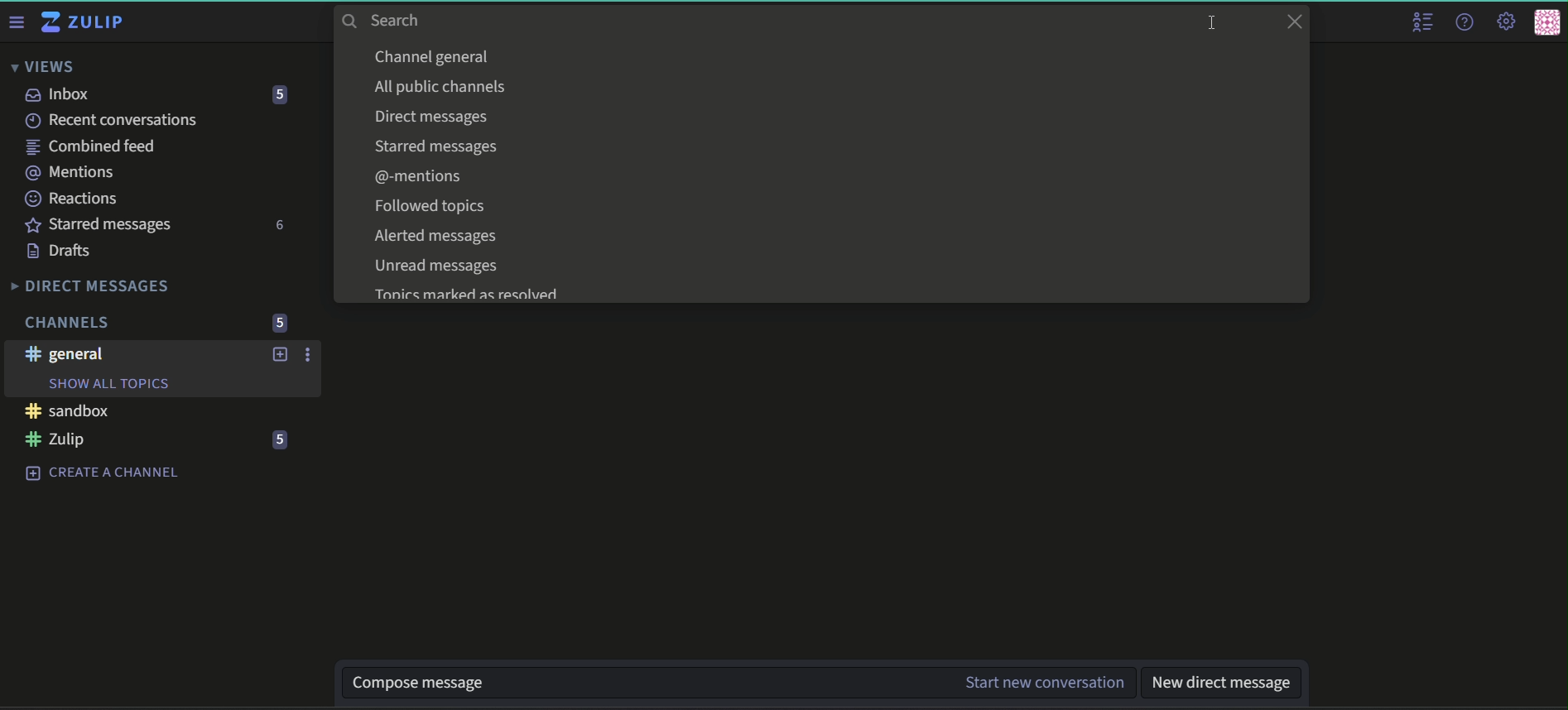  Describe the element at coordinates (444, 268) in the screenshot. I see `text` at that location.